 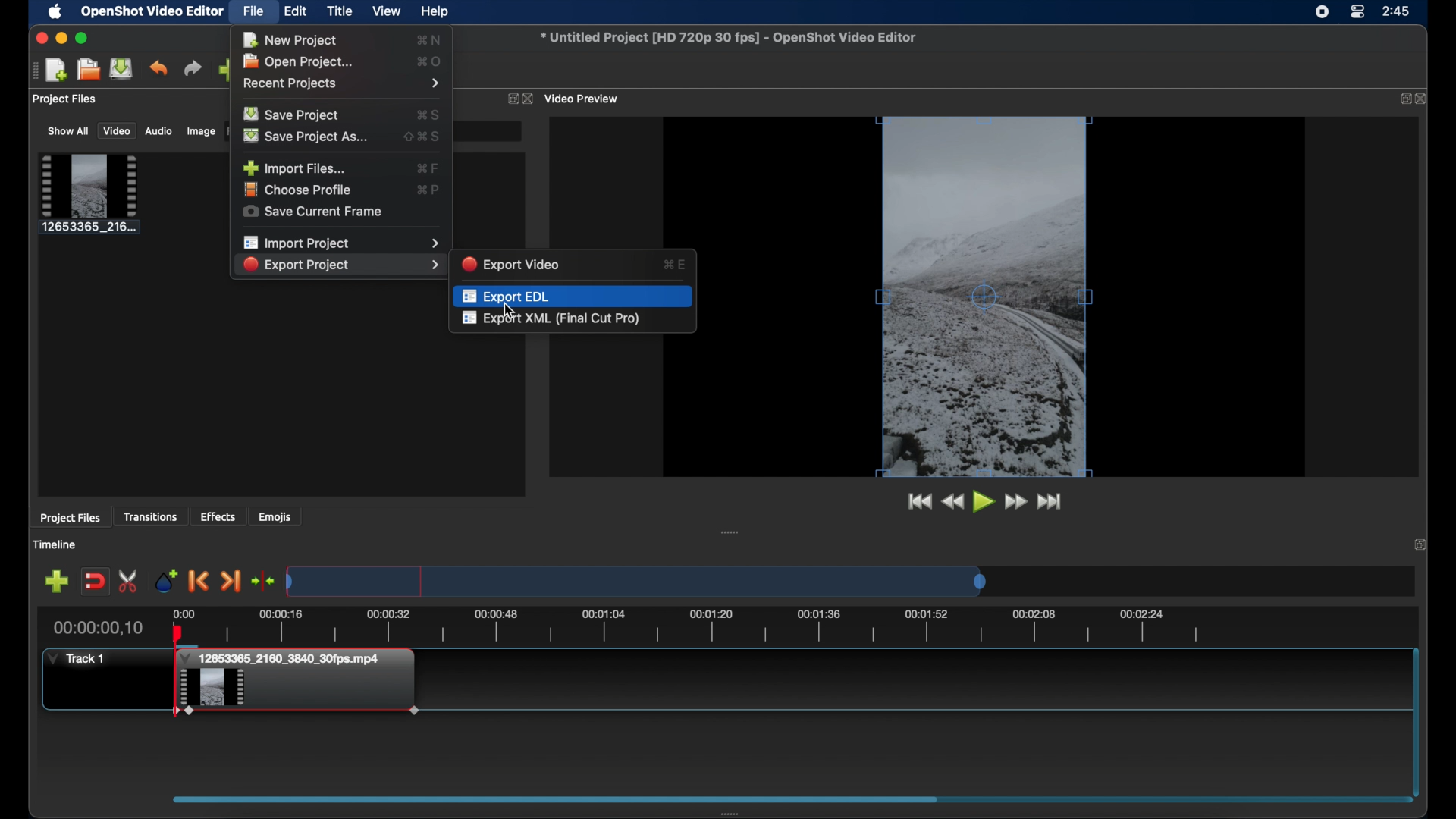 I want to click on undo, so click(x=158, y=68).